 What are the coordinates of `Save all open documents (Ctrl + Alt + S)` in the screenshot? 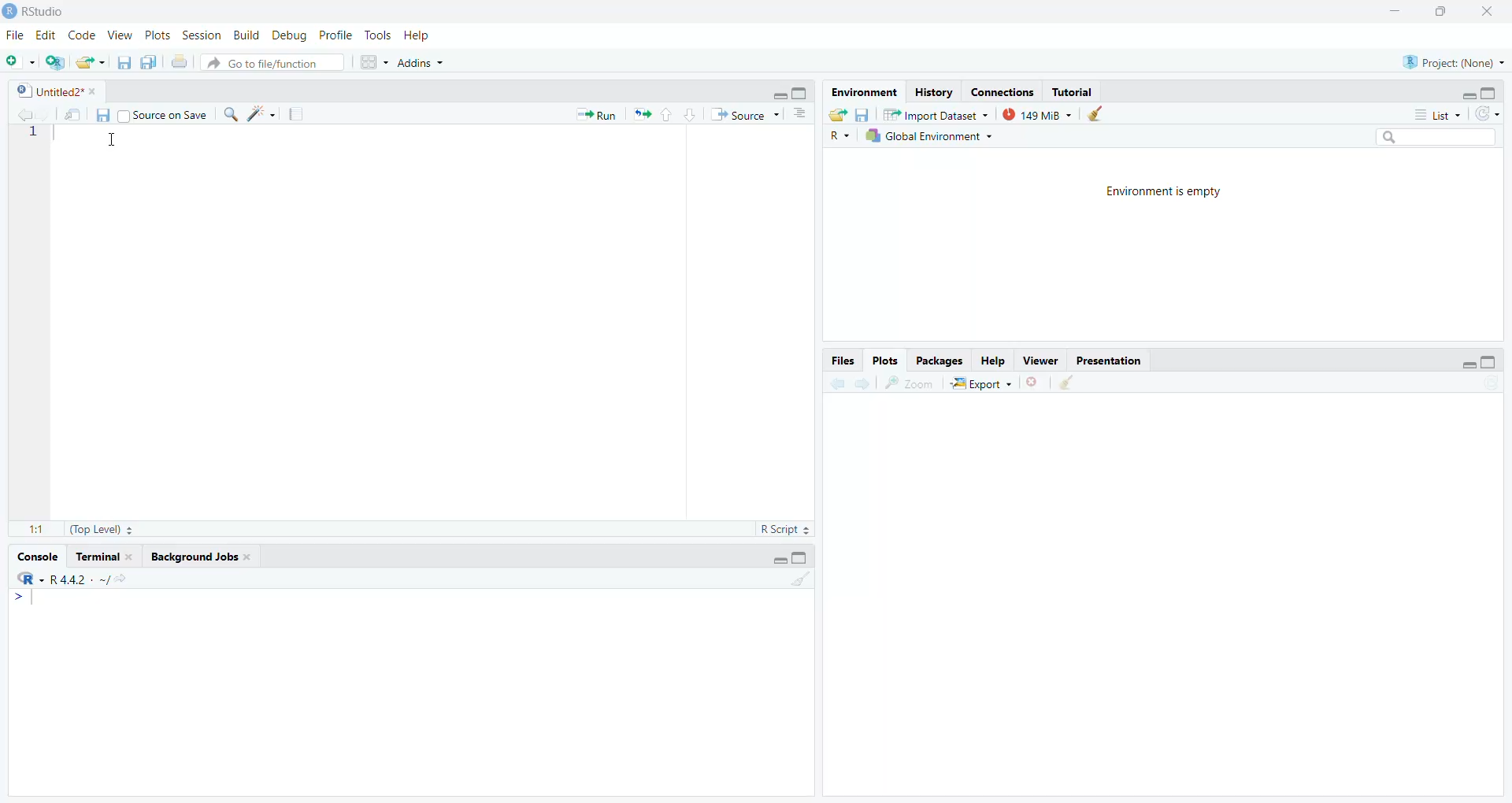 It's located at (147, 63).